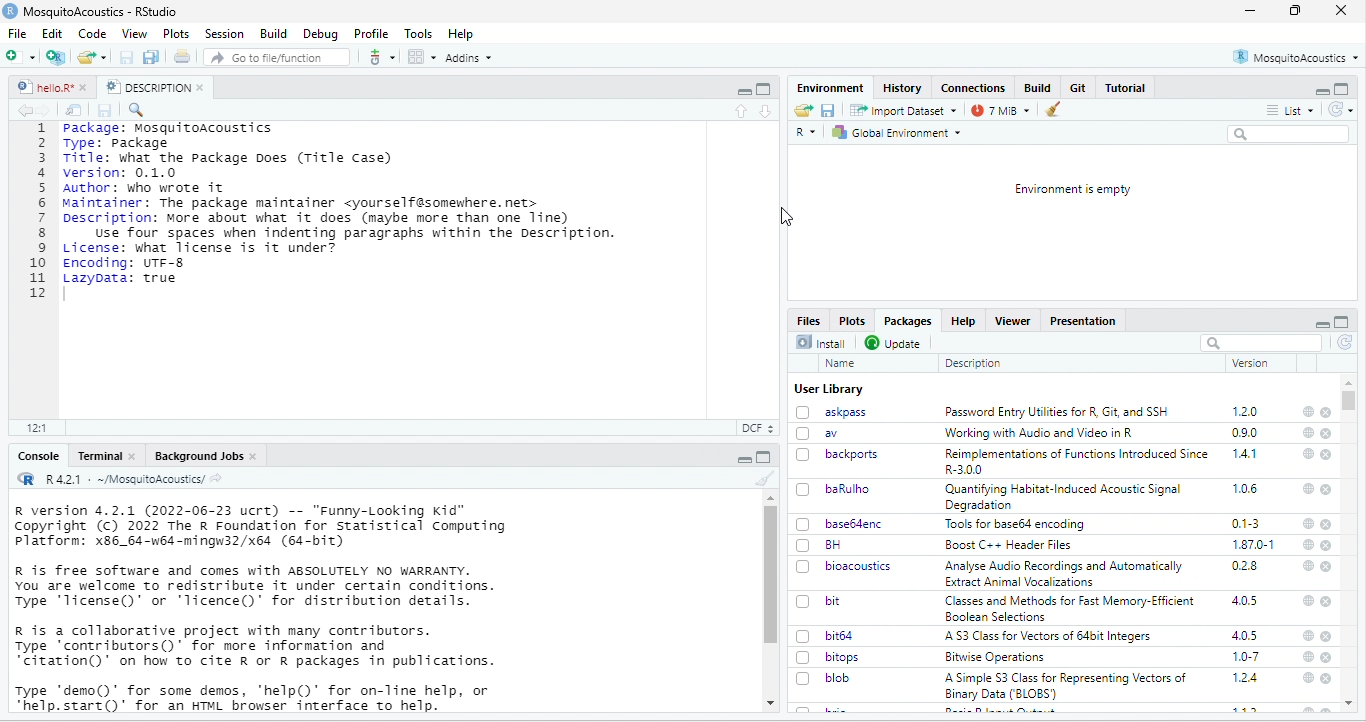 The width and height of the screenshot is (1366, 722). Describe the element at coordinates (1308, 565) in the screenshot. I see `help` at that location.